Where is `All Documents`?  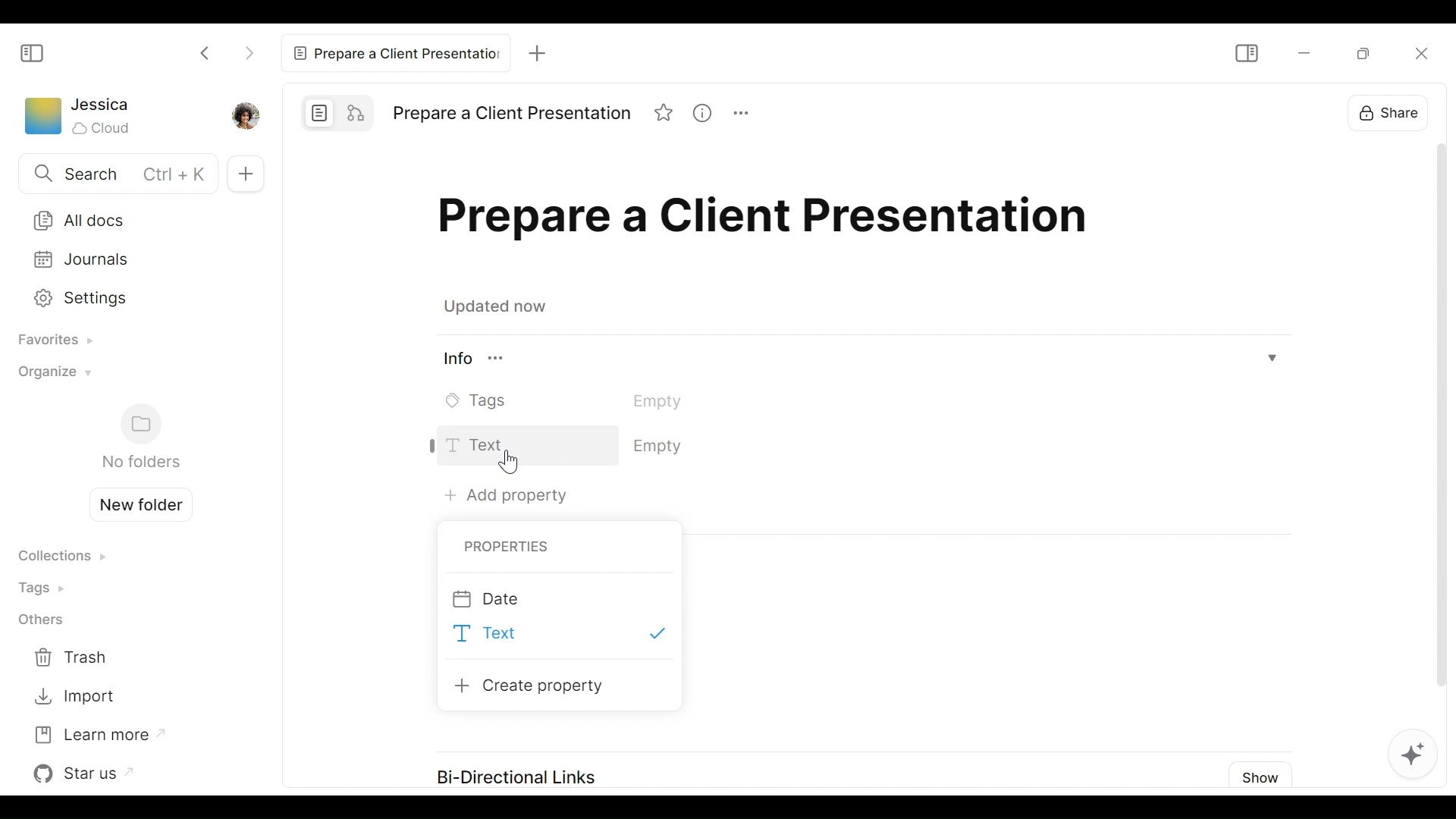
All Documents is located at coordinates (130, 219).